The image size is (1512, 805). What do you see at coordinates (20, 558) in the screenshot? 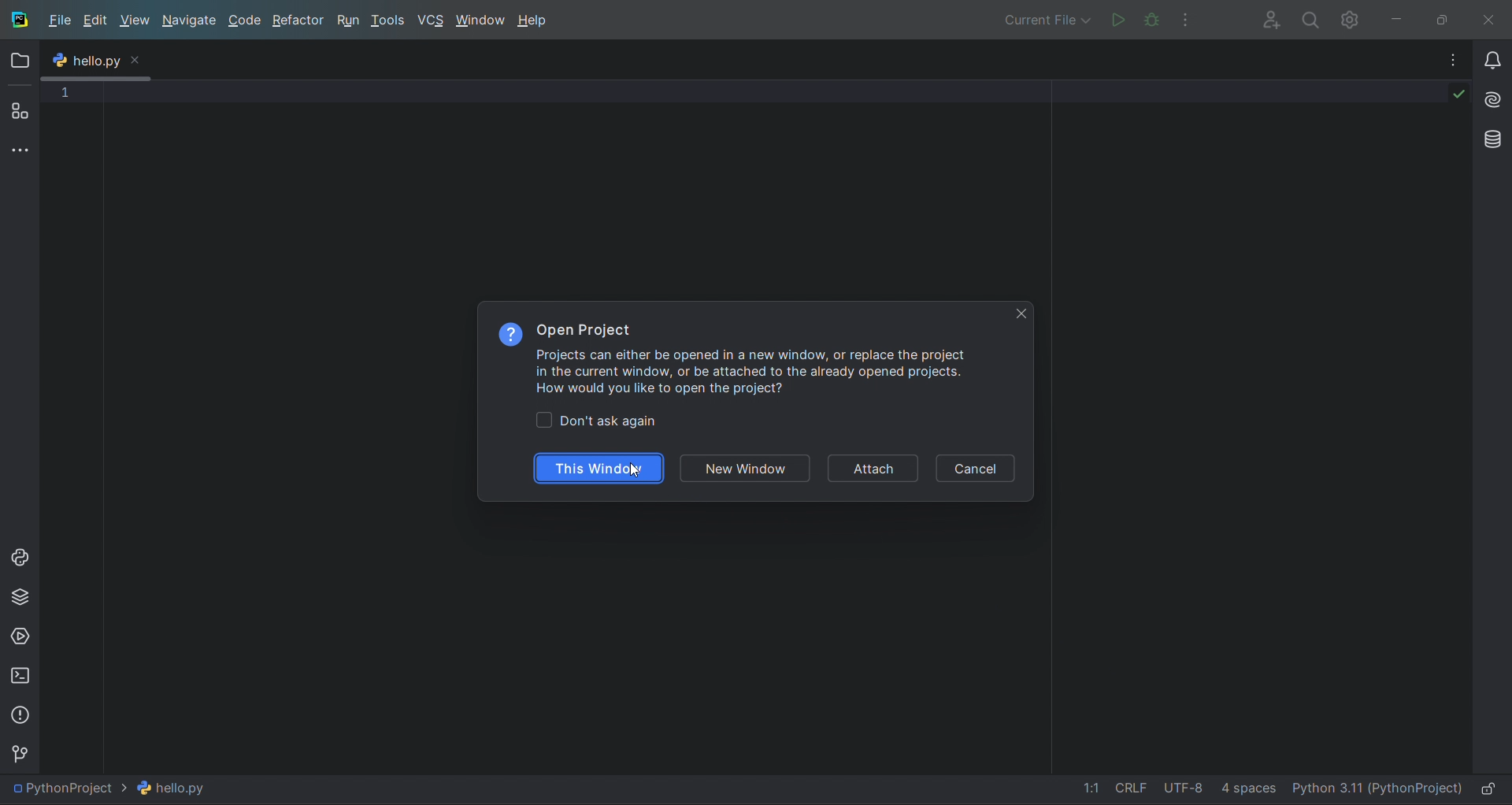
I see `python console` at bounding box center [20, 558].